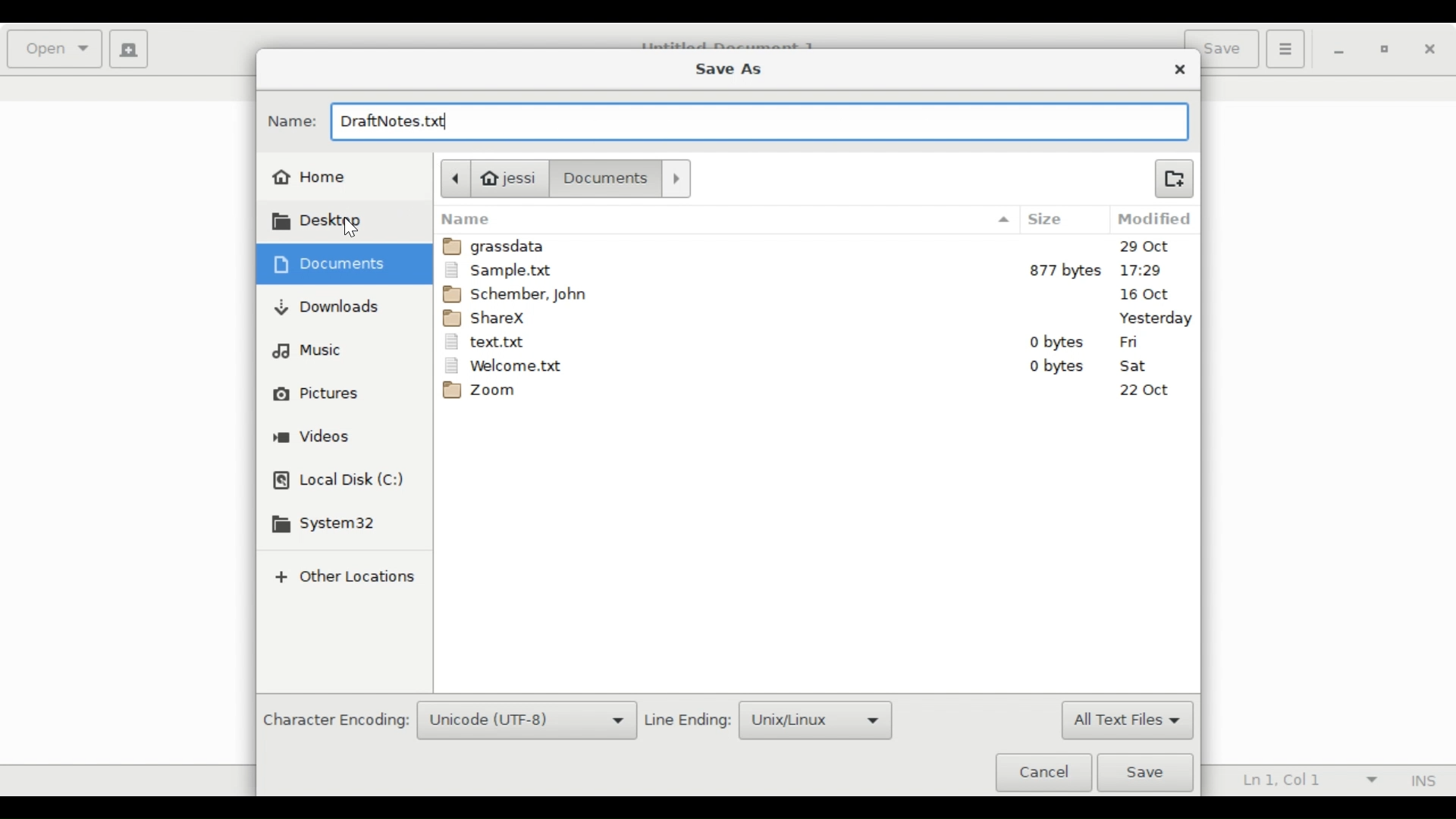 The image size is (1456, 819). Describe the element at coordinates (1181, 70) in the screenshot. I see `Close` at that location.